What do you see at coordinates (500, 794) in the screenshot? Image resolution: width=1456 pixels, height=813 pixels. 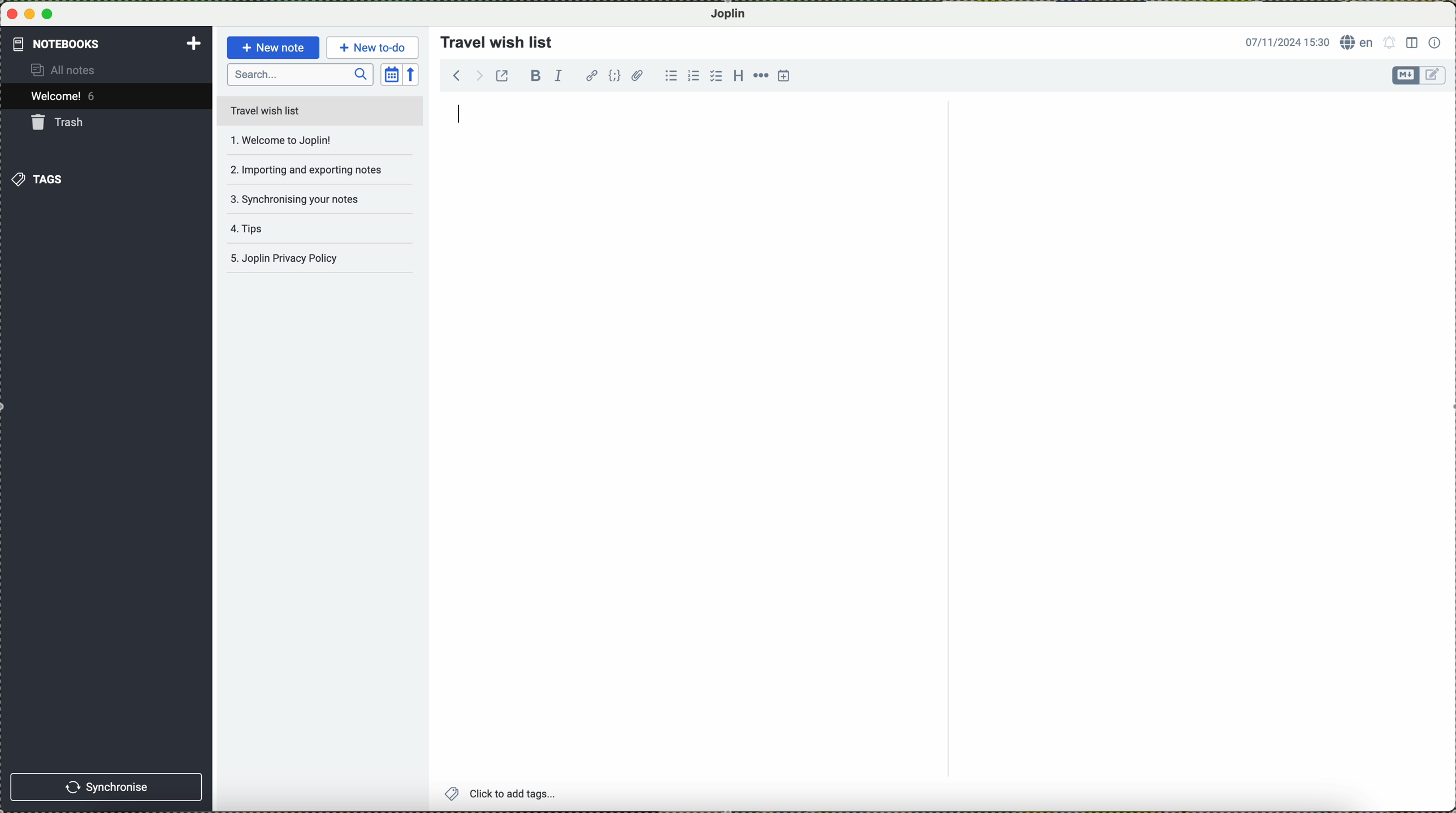 I see `add tags` at bounding box center [500, 794].